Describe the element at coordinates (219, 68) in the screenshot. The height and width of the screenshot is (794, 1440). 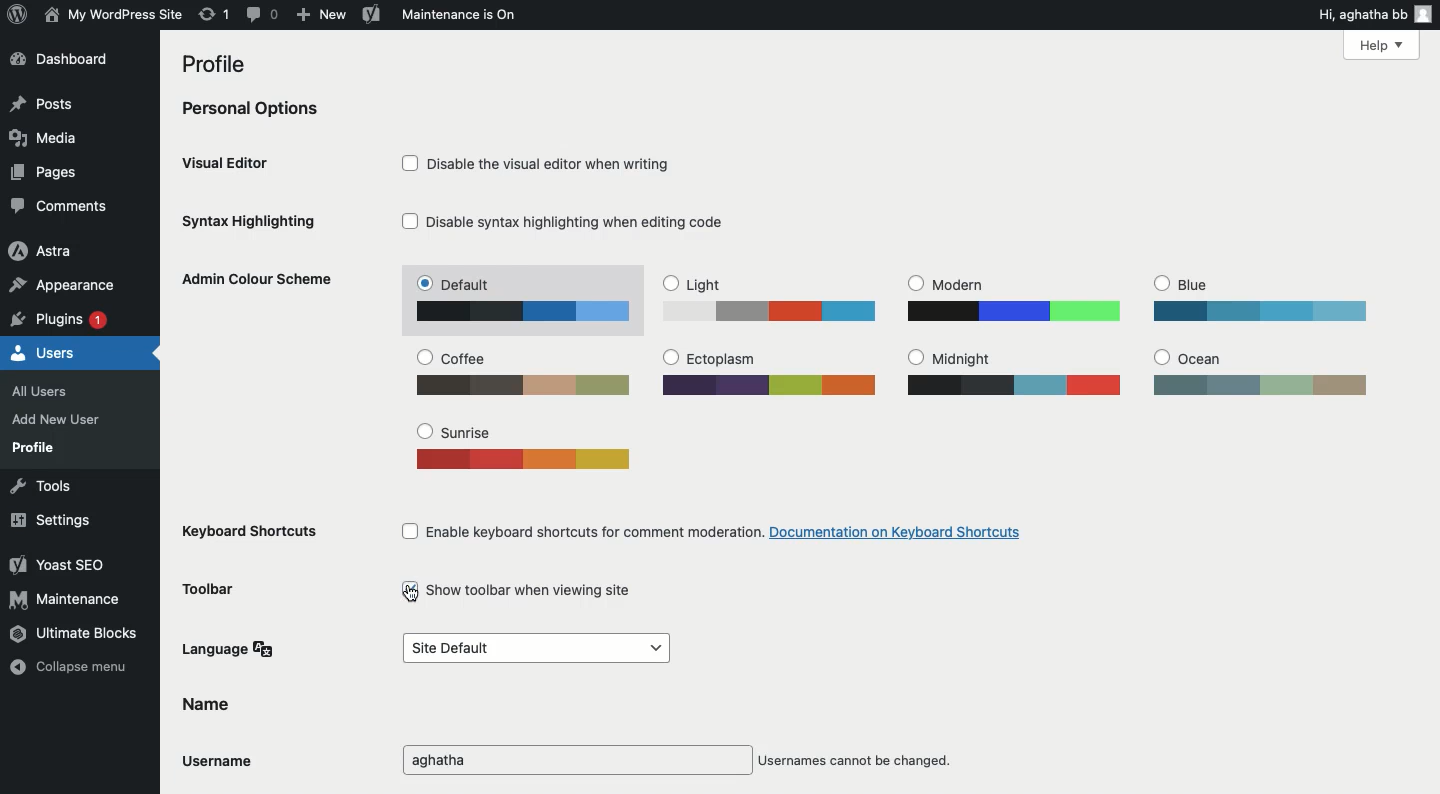
I see `Profile` at that location.